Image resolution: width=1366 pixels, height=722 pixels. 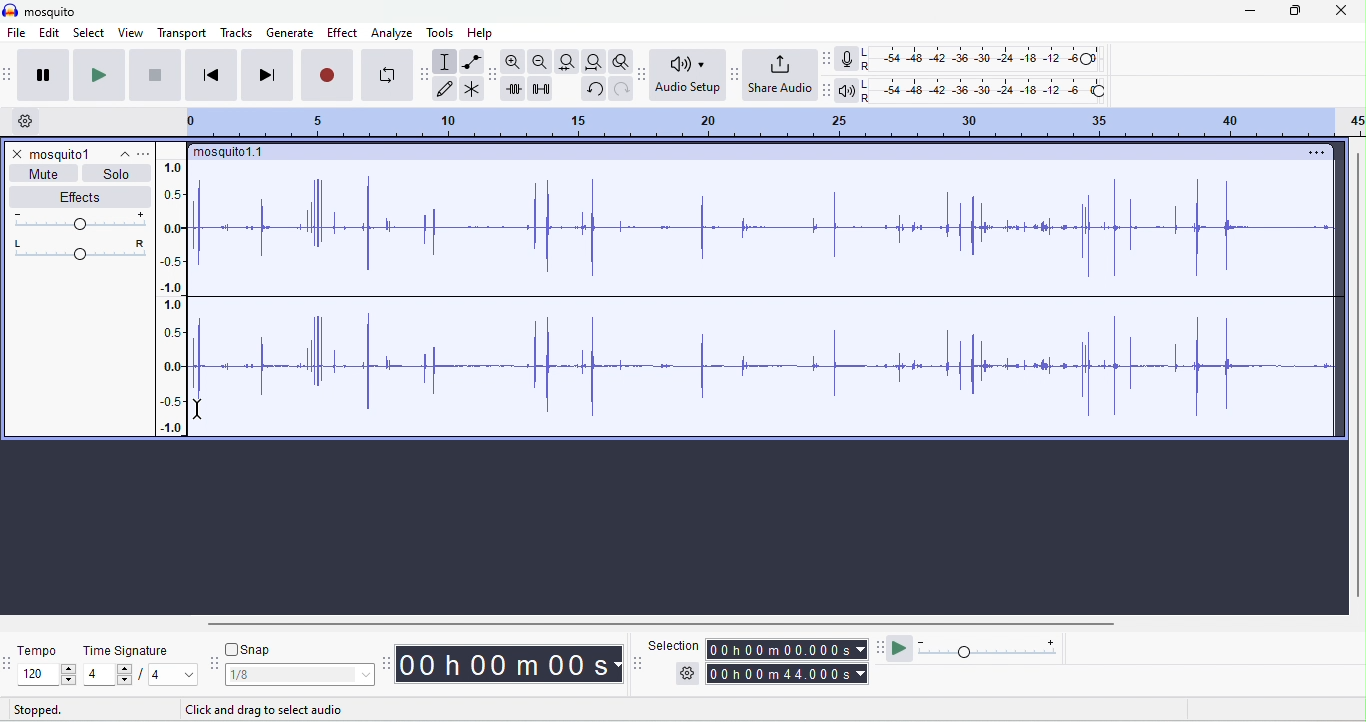 I want to click on trim outside selection, so click(x=512, y=88).